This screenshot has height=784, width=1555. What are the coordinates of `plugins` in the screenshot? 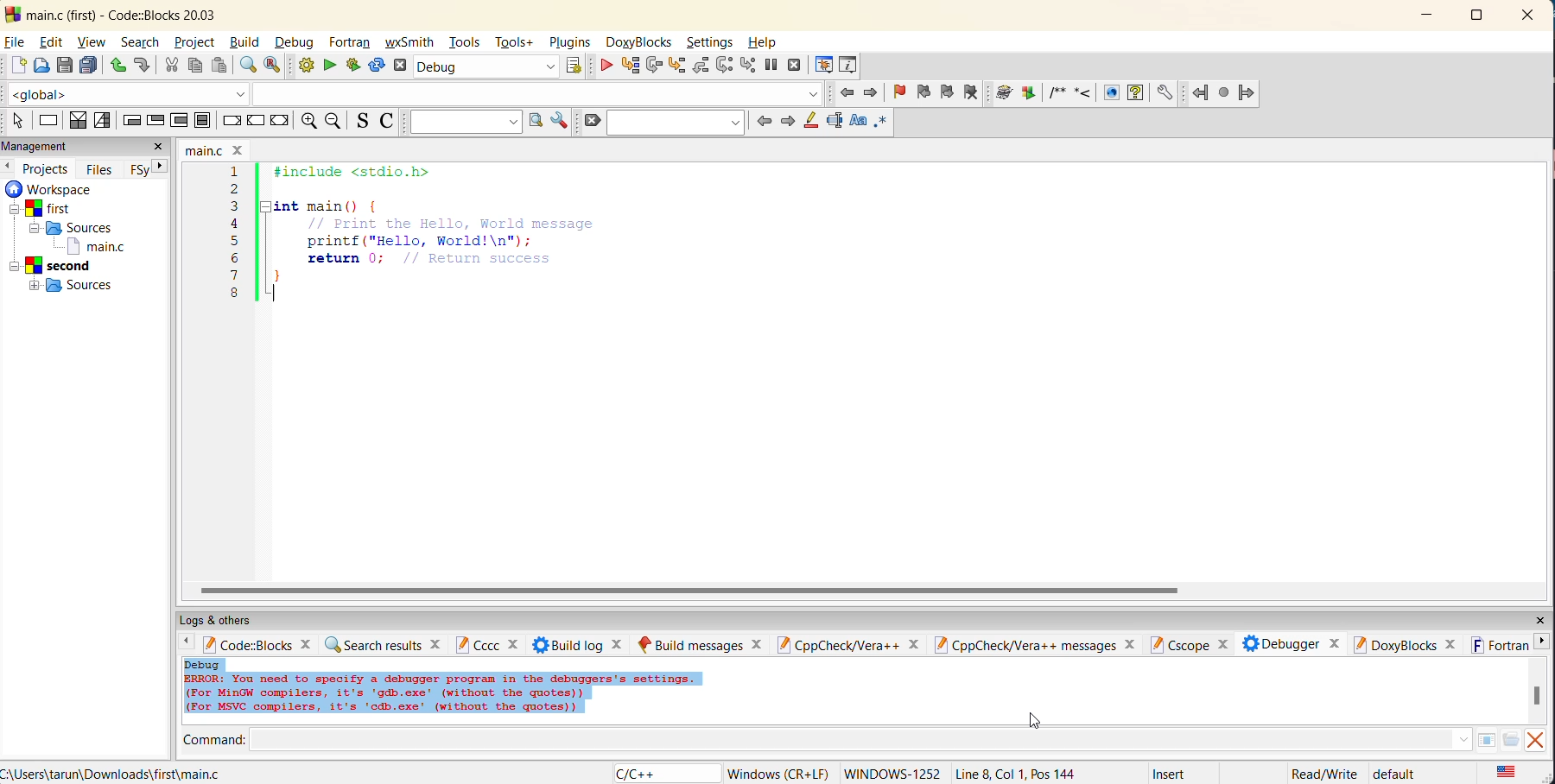 It's located at (574, 42).